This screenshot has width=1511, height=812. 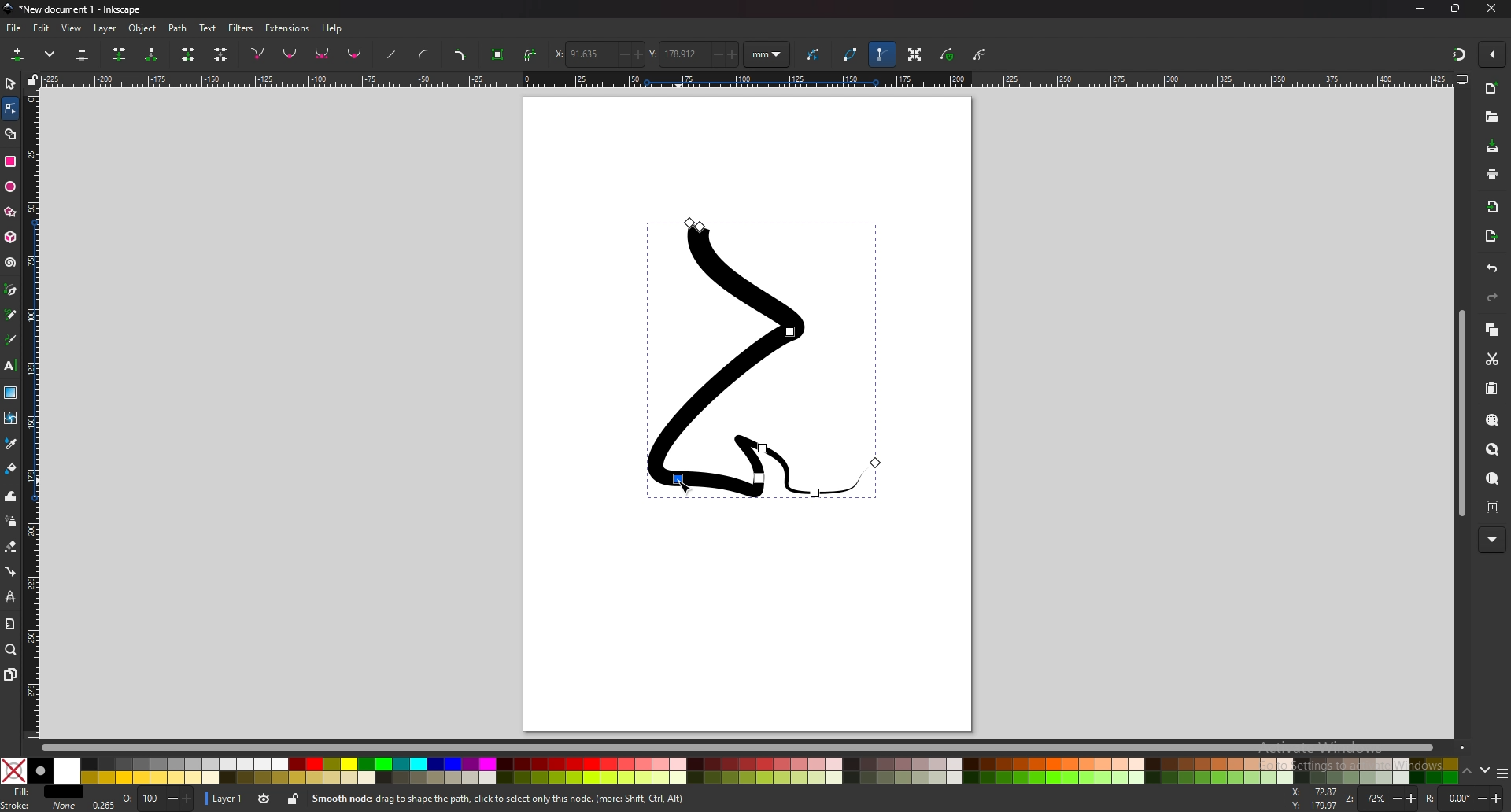 What do you see at coordinates (461, 54) in the screenshot?
I see `add corners lpe` at bounding box center [461, 54].